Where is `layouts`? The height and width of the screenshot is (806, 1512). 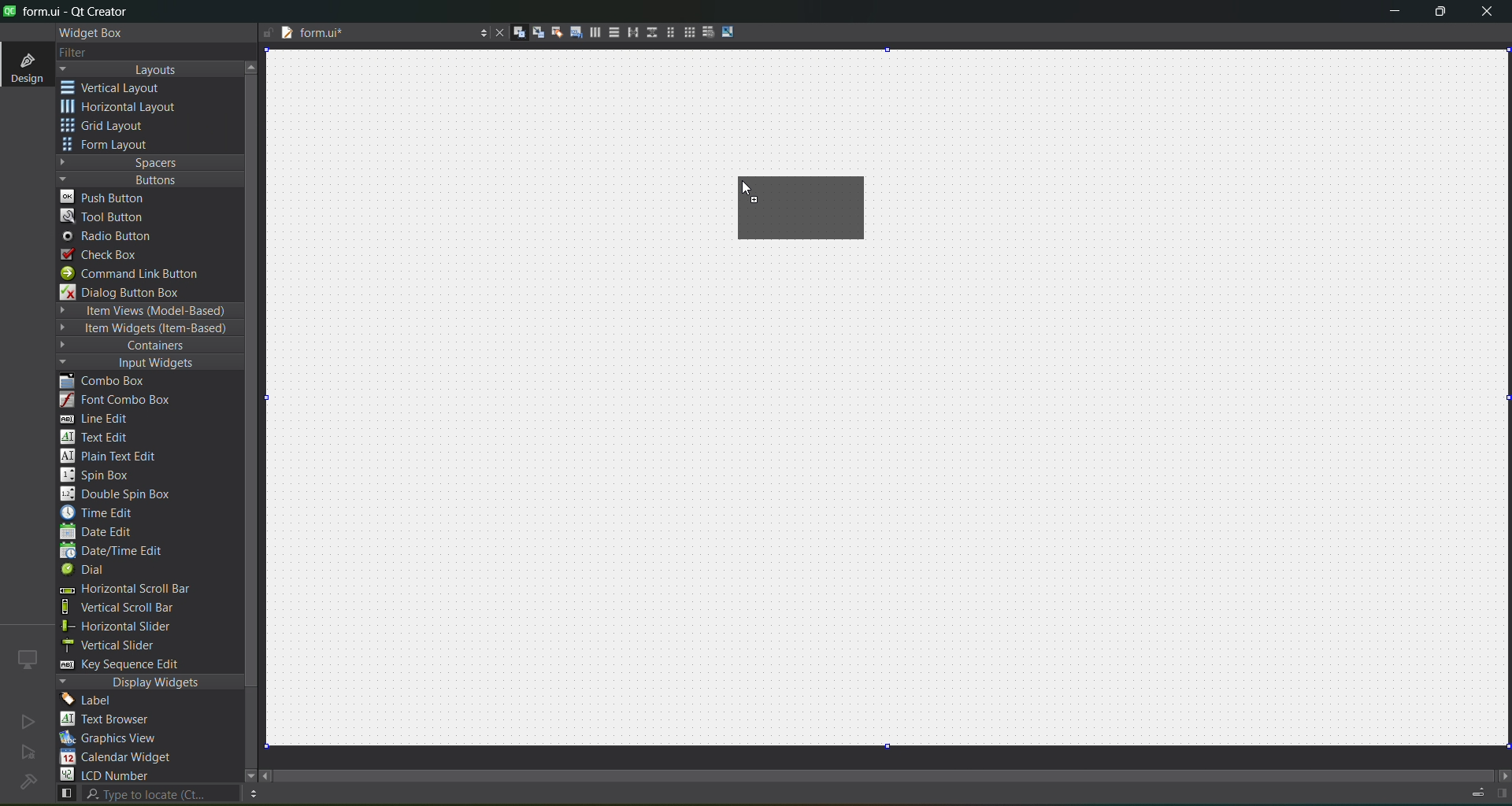
layouts is located at coordinates (150, 69).